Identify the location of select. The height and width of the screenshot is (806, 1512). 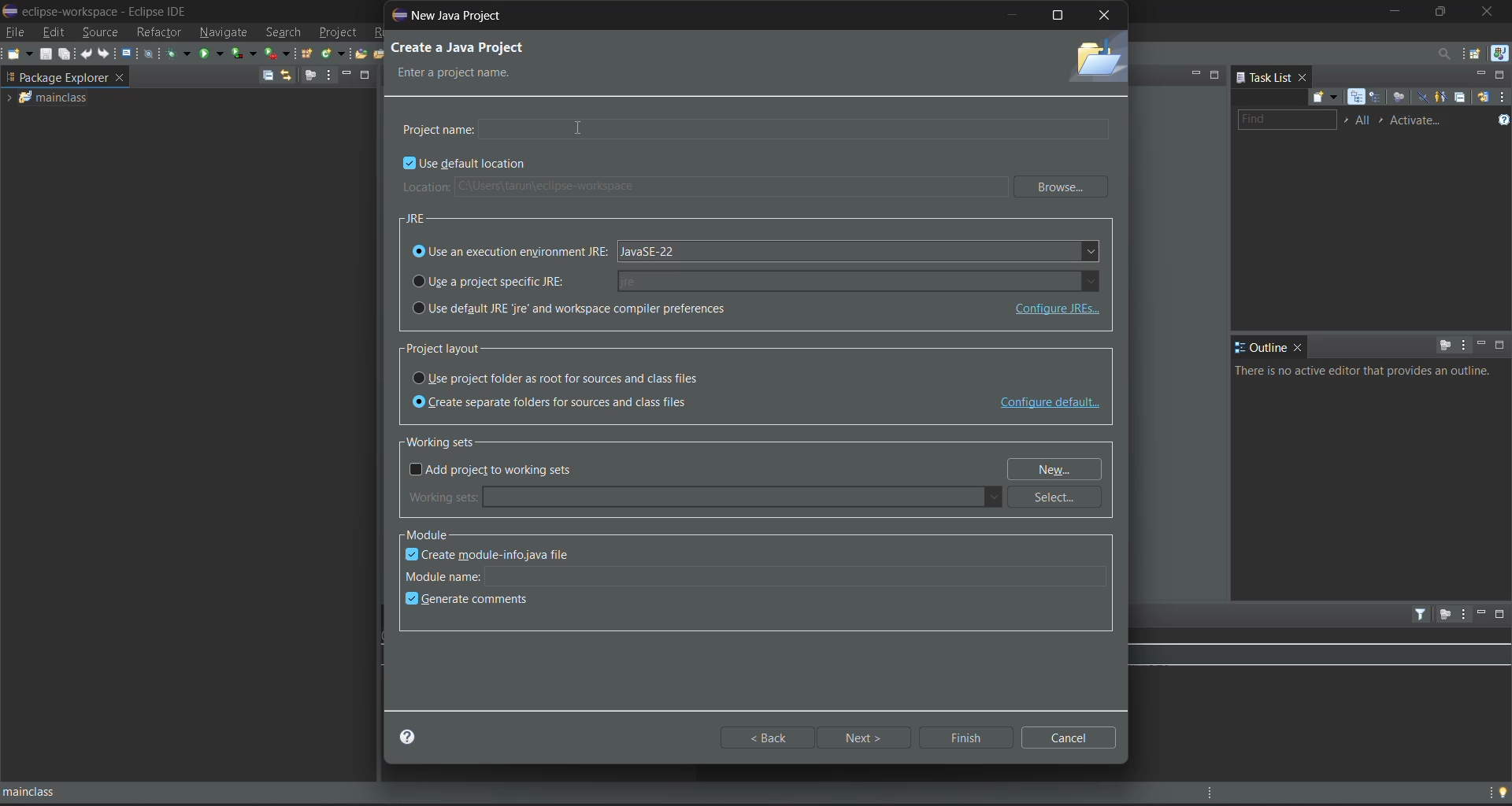
(1061, 497).